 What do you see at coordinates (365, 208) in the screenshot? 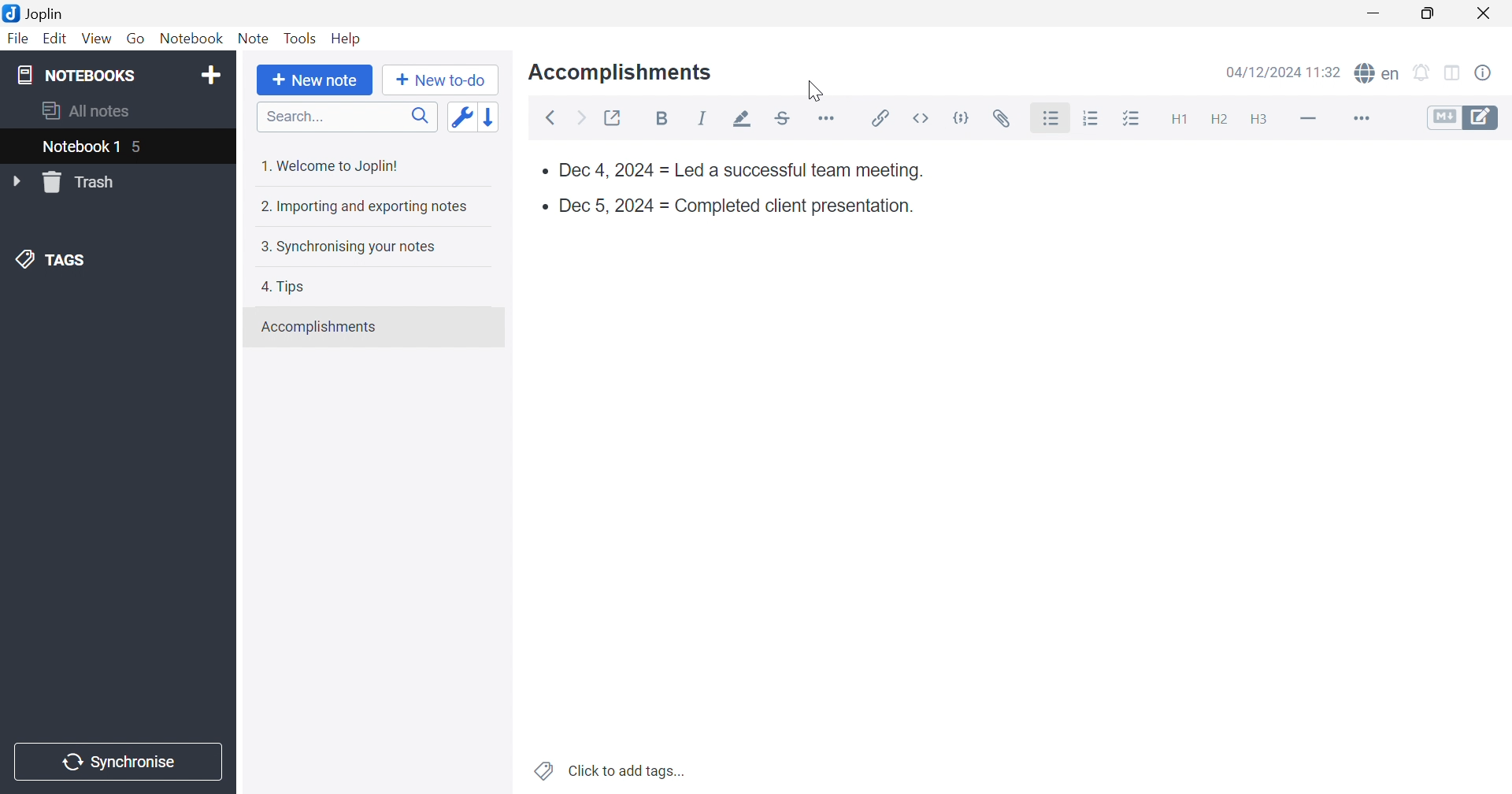
I see `2. Importing and exporting notes` at bounding box center [365, 208].